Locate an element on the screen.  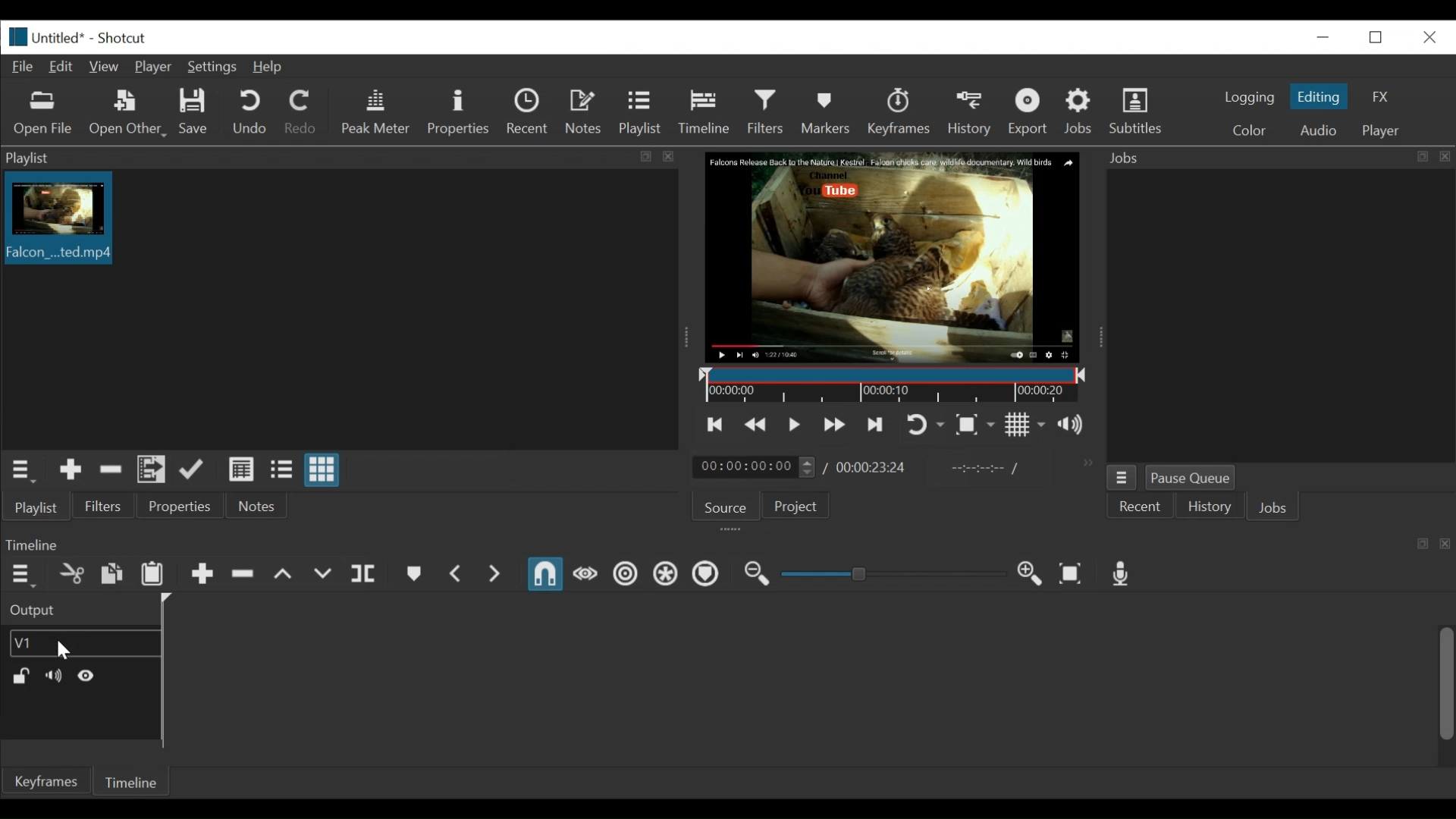
Pause Queue is located at coordinates (1195, 479).